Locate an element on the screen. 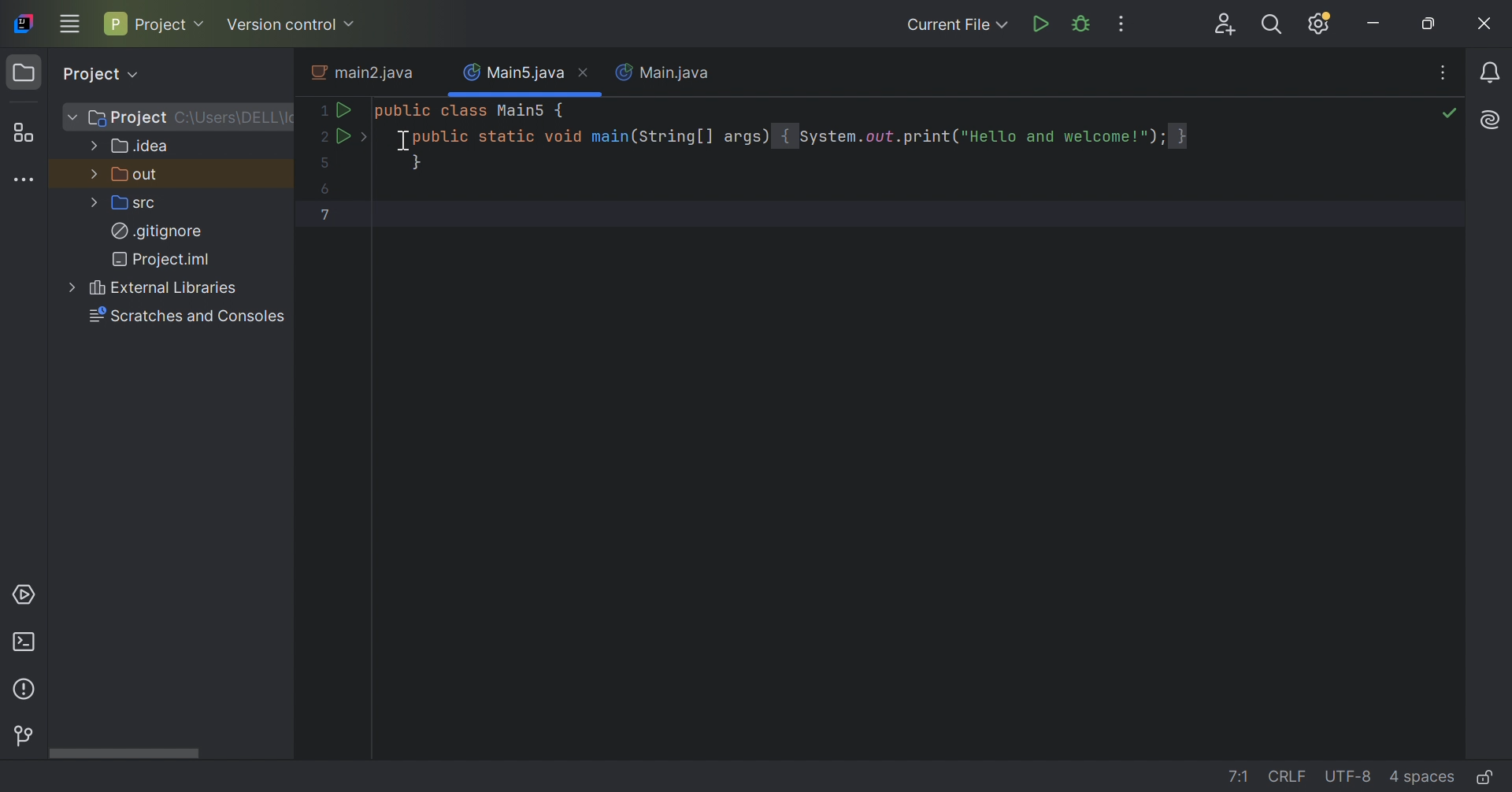 The height and width of the screenshot is (792, 1512). public static void main(String[] args) {System.out.print("Hello and welcome");} is located at coordinates (799, 137).